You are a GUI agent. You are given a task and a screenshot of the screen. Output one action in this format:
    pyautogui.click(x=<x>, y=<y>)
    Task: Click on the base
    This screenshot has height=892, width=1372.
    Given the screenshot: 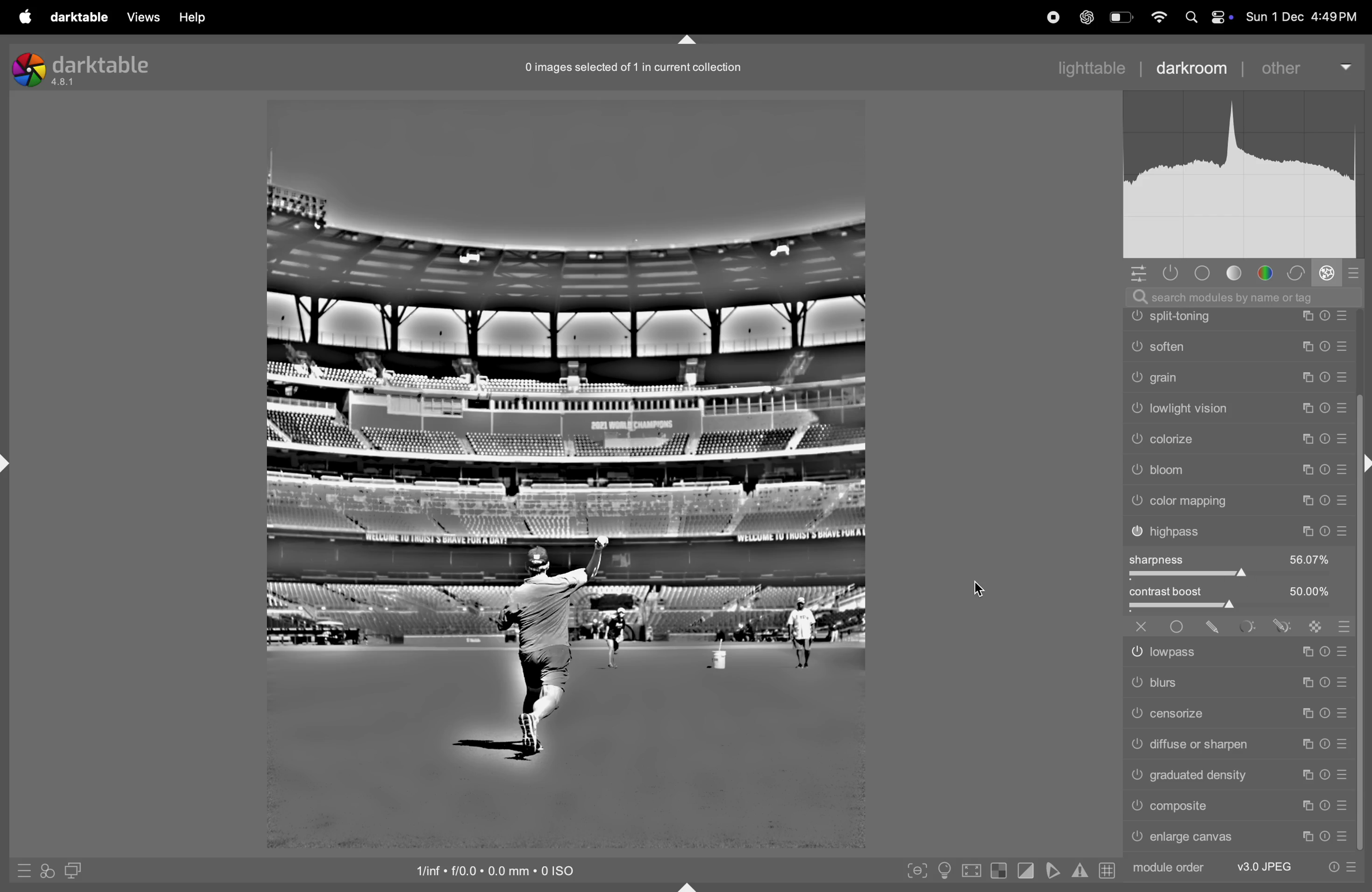 What is the action you would take?
    pyautogui.click(x=1206, y=273)
    